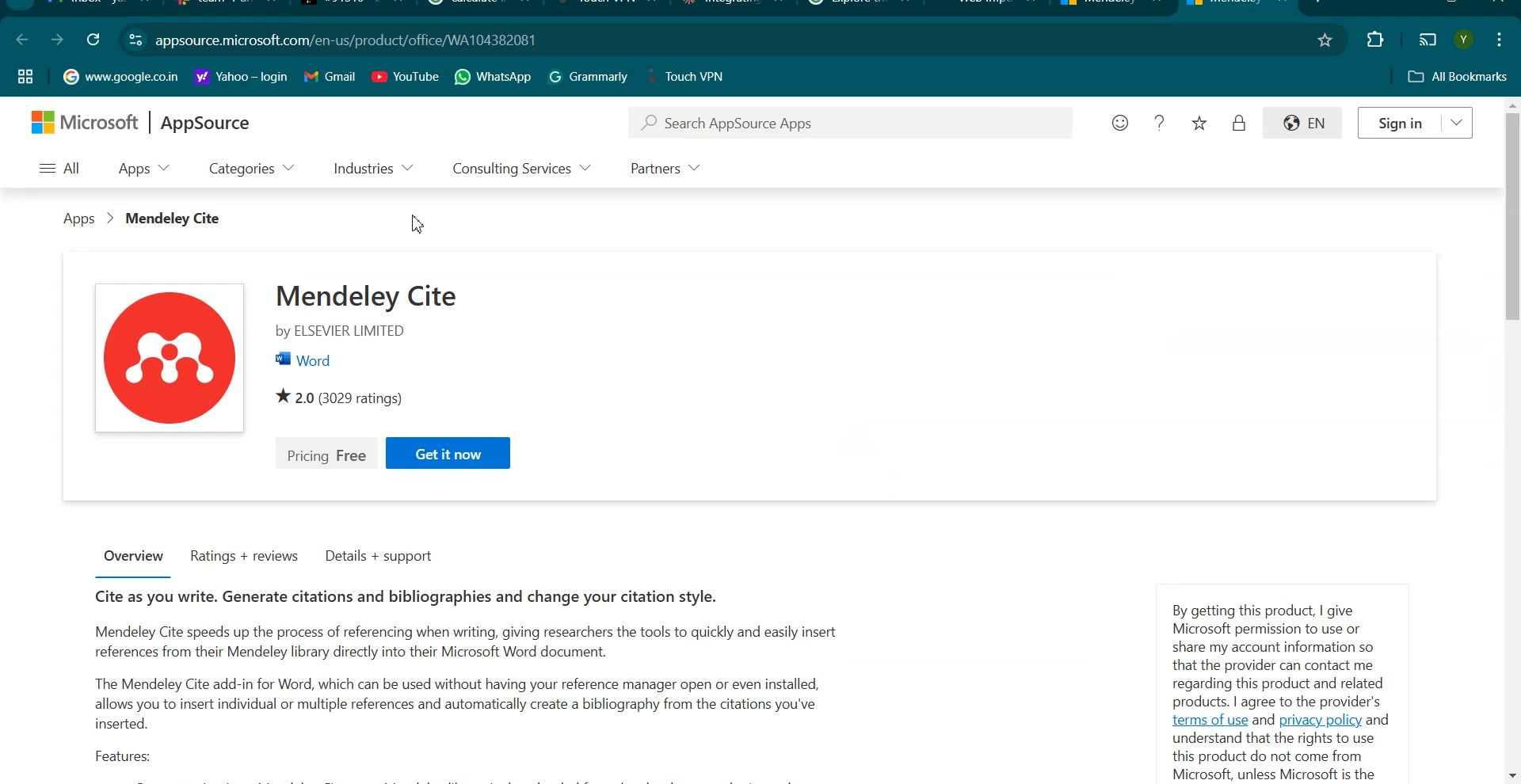 This screenshot has height=784, width=1521. What do you see at coordinates (330, 77) in the screenshot?
I see `Gmail Bookmarks` at bounding box center [330, 77].